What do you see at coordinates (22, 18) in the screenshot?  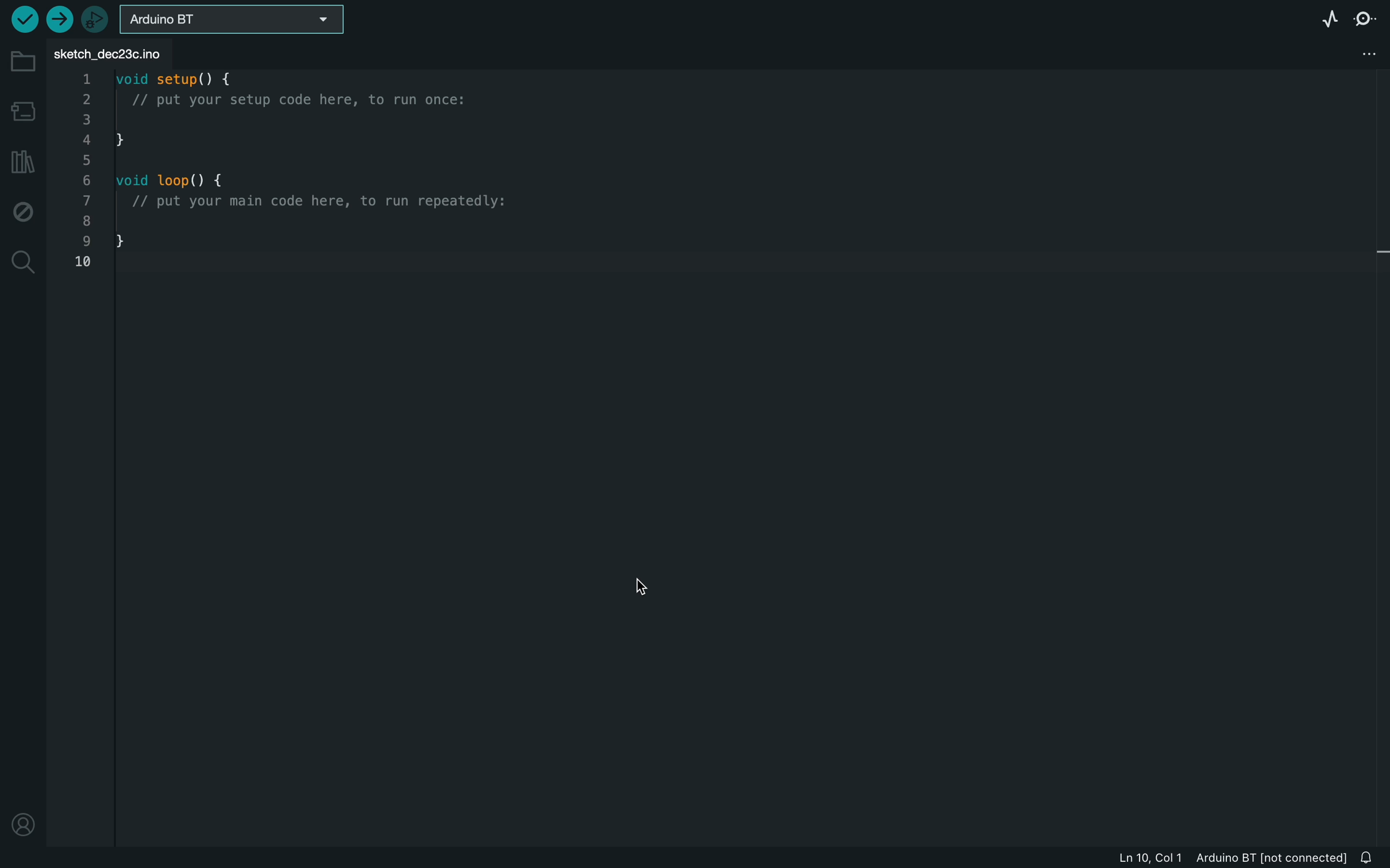 I see `verify` at bounding box center [22, 18].